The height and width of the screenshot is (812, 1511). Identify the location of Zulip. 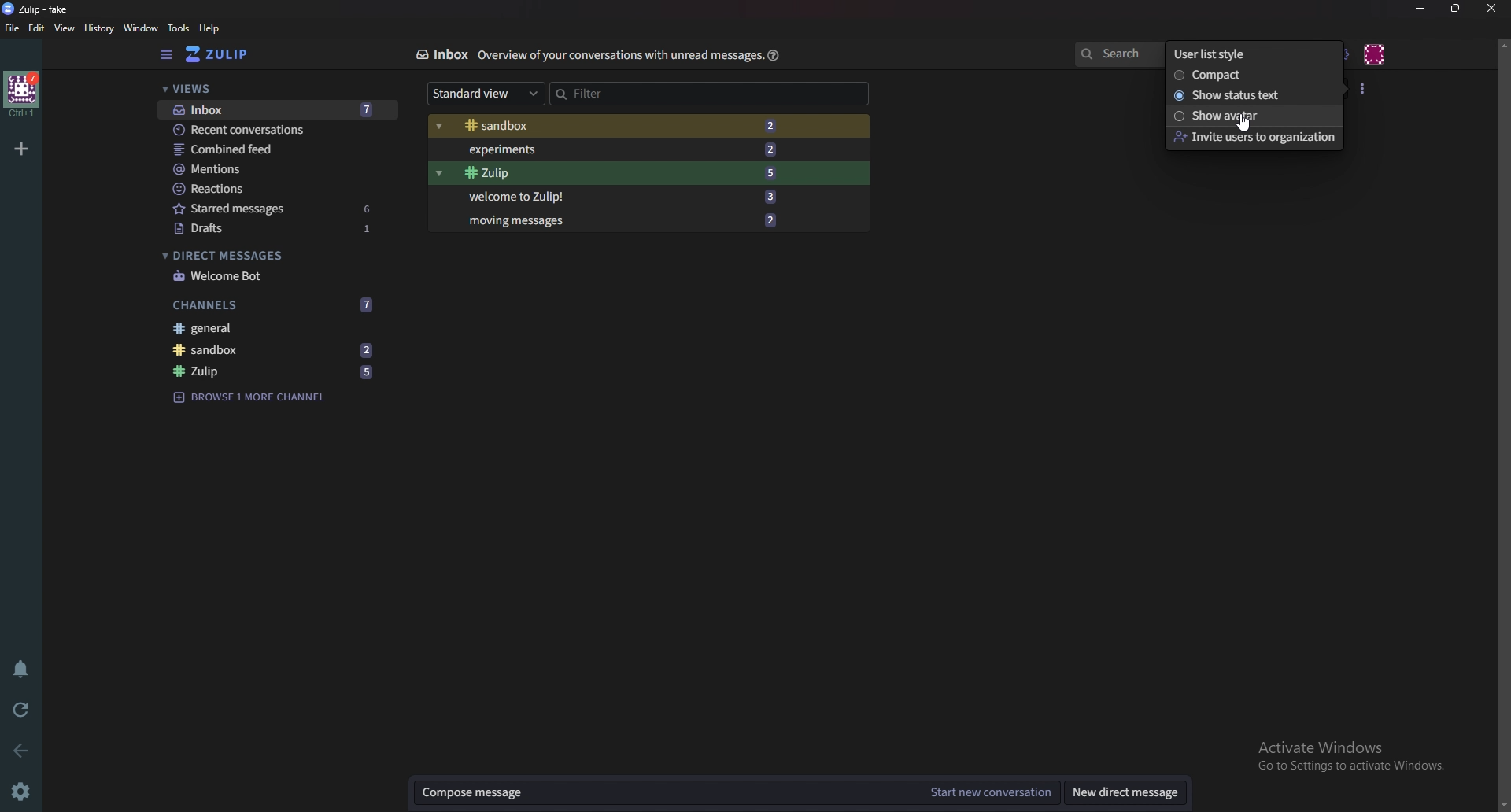
(35, 9).